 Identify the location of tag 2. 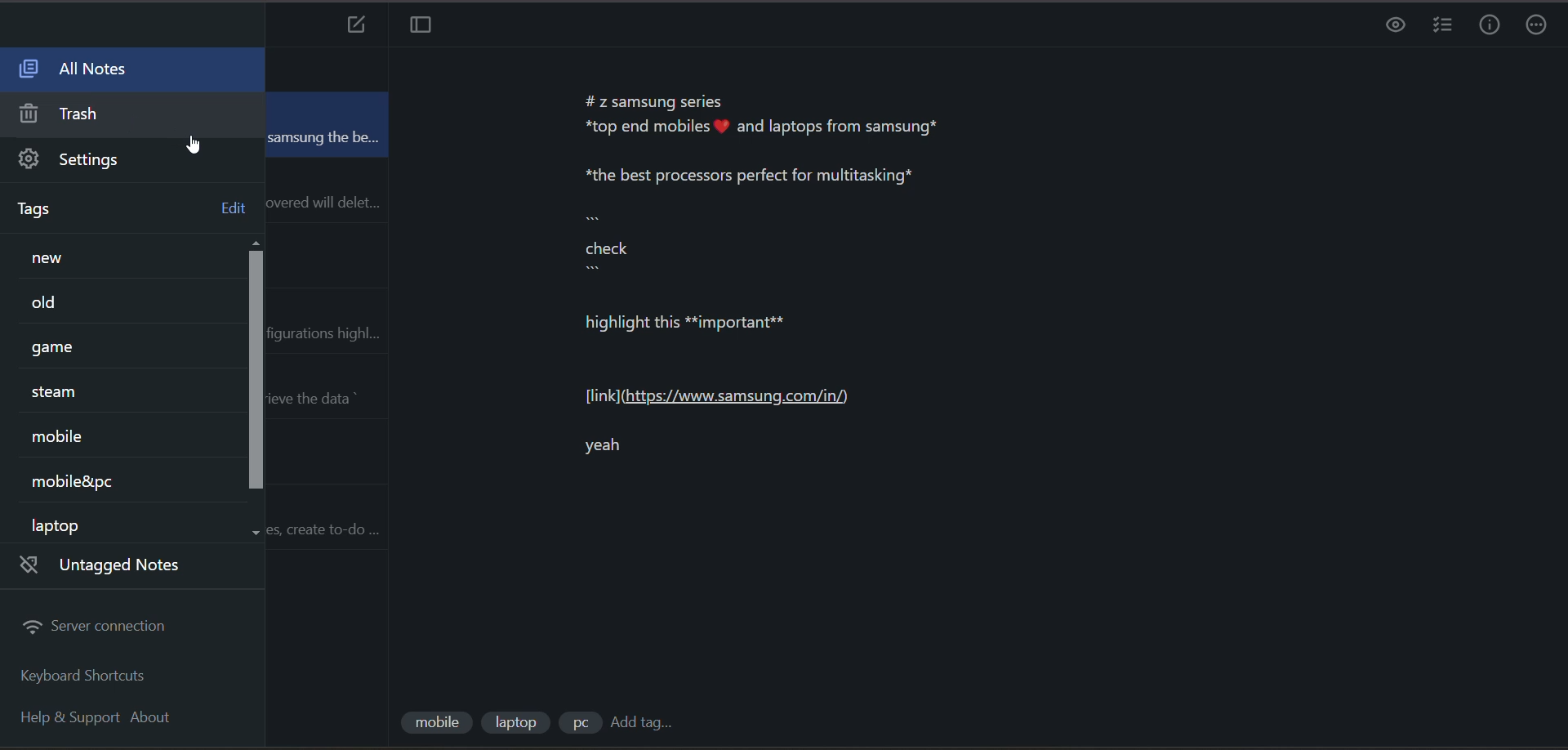
(54, 305).